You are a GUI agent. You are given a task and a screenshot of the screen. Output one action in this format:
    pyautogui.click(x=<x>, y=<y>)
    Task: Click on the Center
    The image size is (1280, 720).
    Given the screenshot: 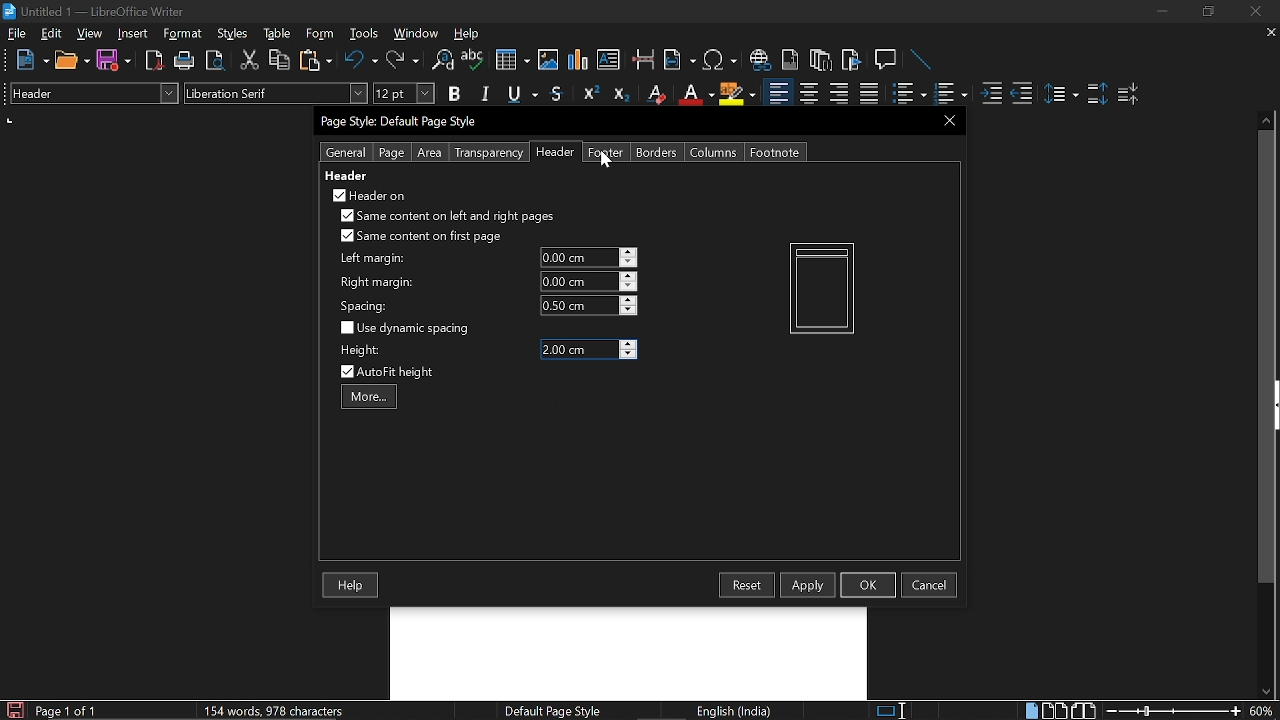 What is the action you would take?
    pyautogui.click(x=808, y=93)
    